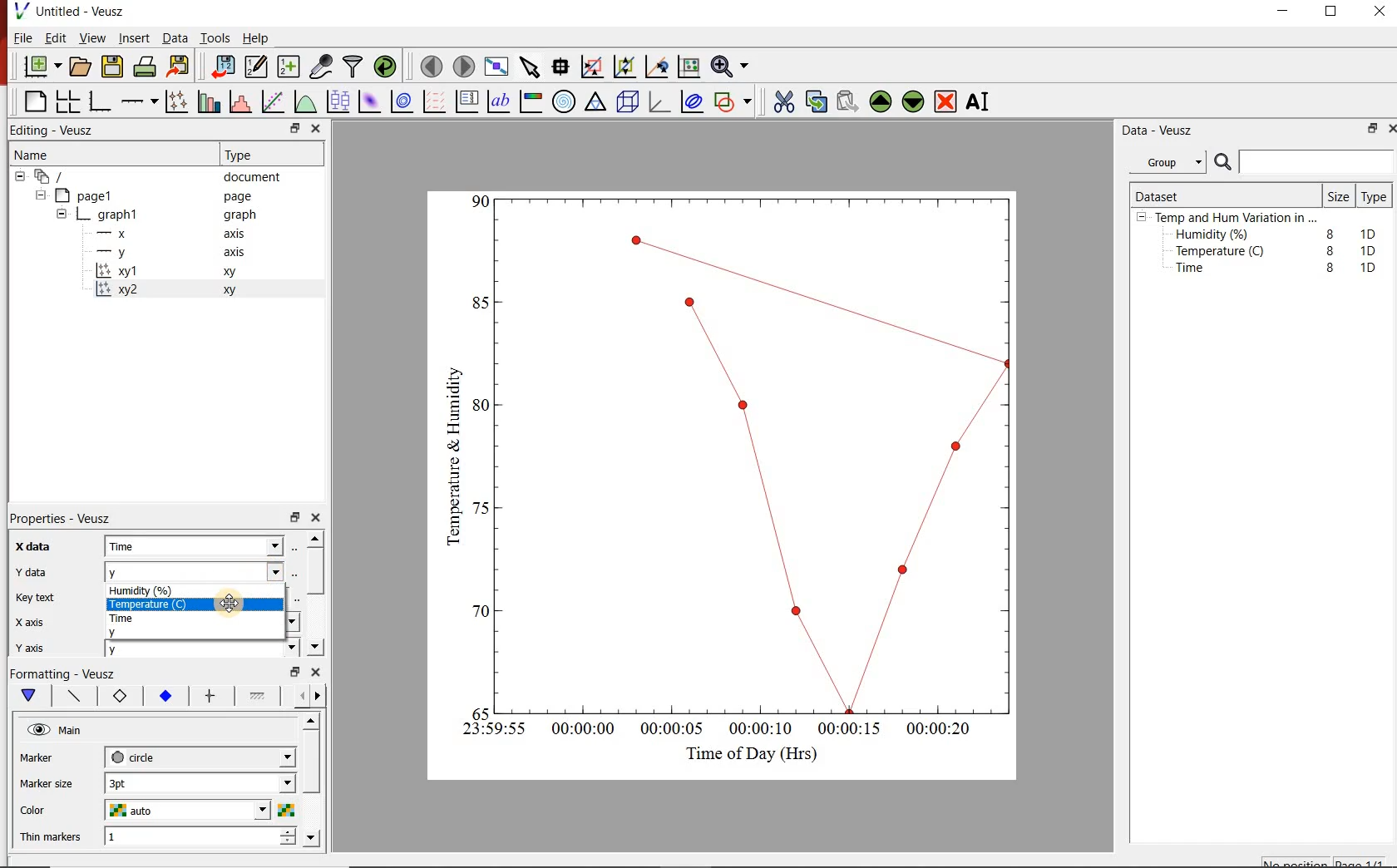  Describe the element at coordinates (241, 197) in the screenshot. I see `page` at that location.